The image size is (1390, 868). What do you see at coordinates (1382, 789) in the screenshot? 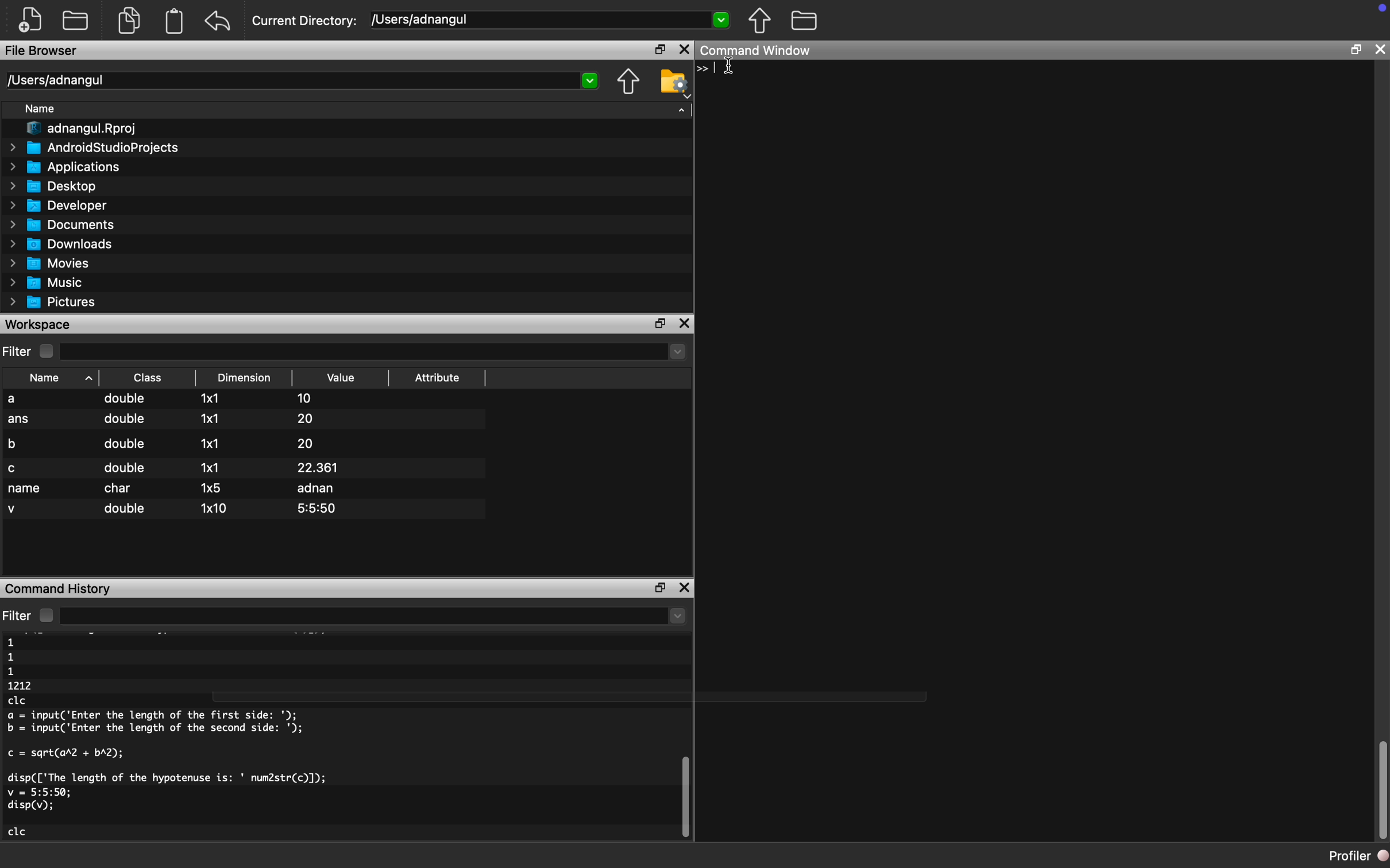
I see `scroll bar` at bounding box center [1382, 789].